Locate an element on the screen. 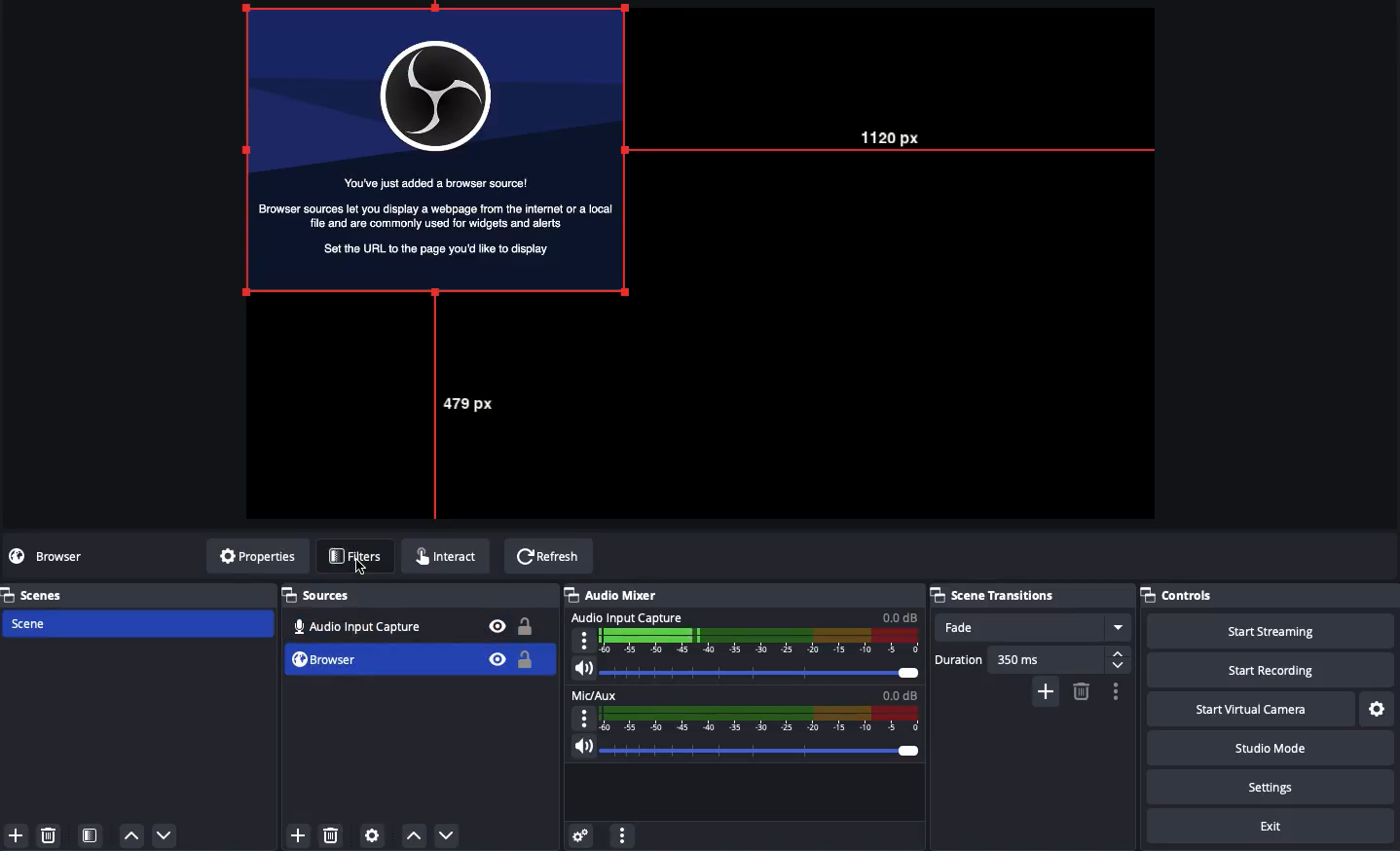 This screenshot has height=851, width=1400. No source selected is located at coordinates (63, 556).